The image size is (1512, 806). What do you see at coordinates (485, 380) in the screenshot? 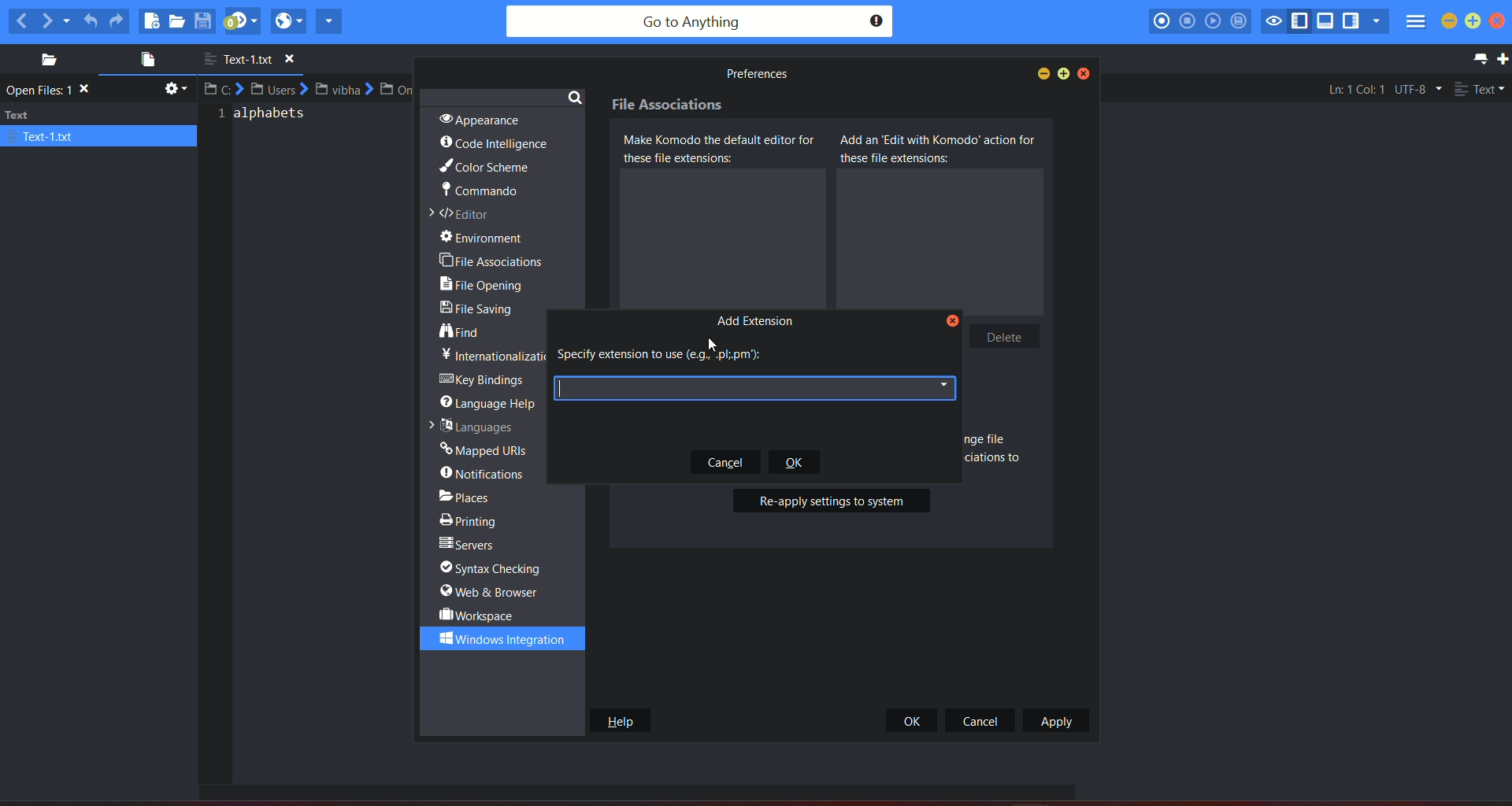
I see `key bridges` at bounding box center [485, 380].